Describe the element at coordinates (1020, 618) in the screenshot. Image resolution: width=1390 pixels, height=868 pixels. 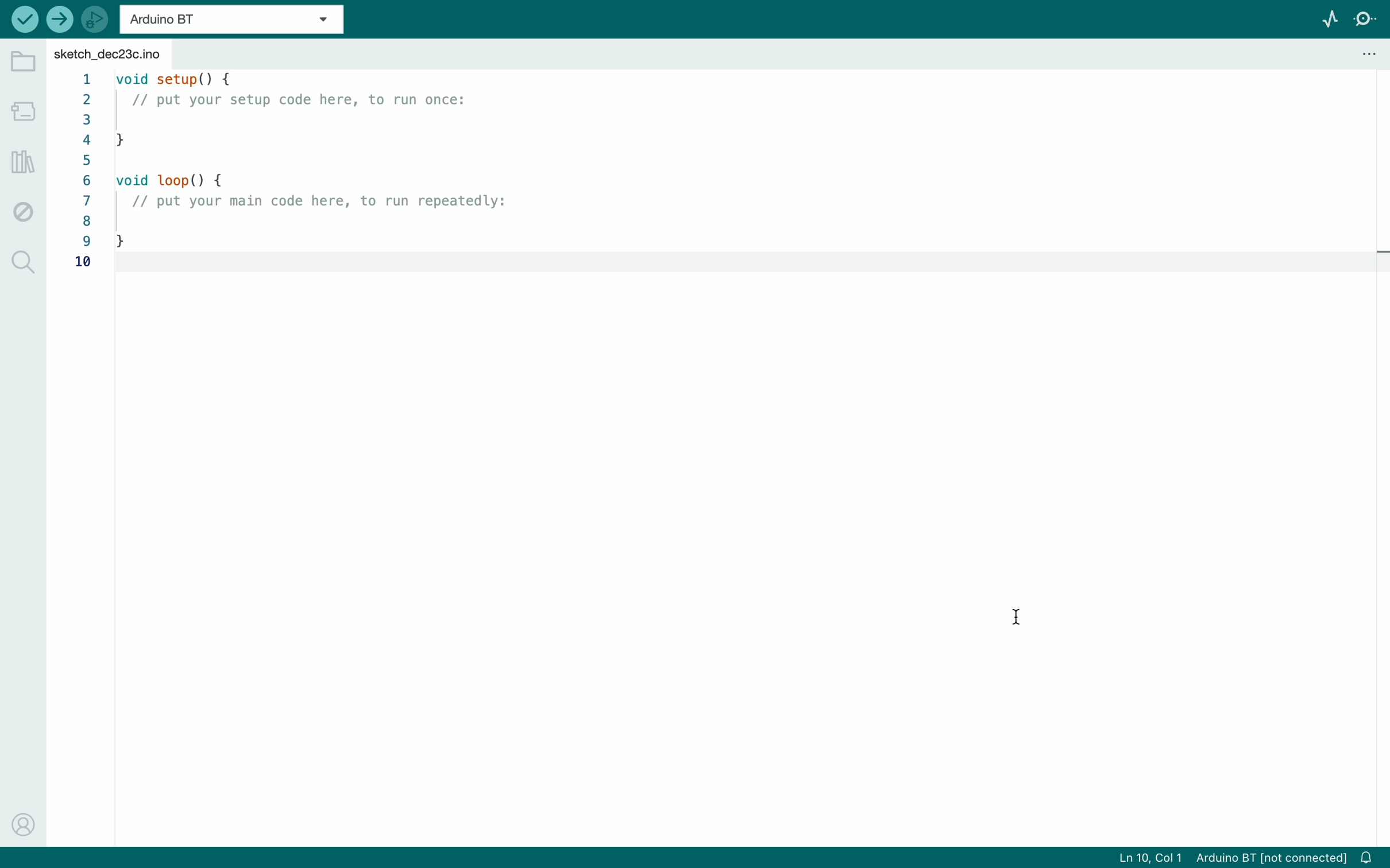
I see `cursor` at that location.